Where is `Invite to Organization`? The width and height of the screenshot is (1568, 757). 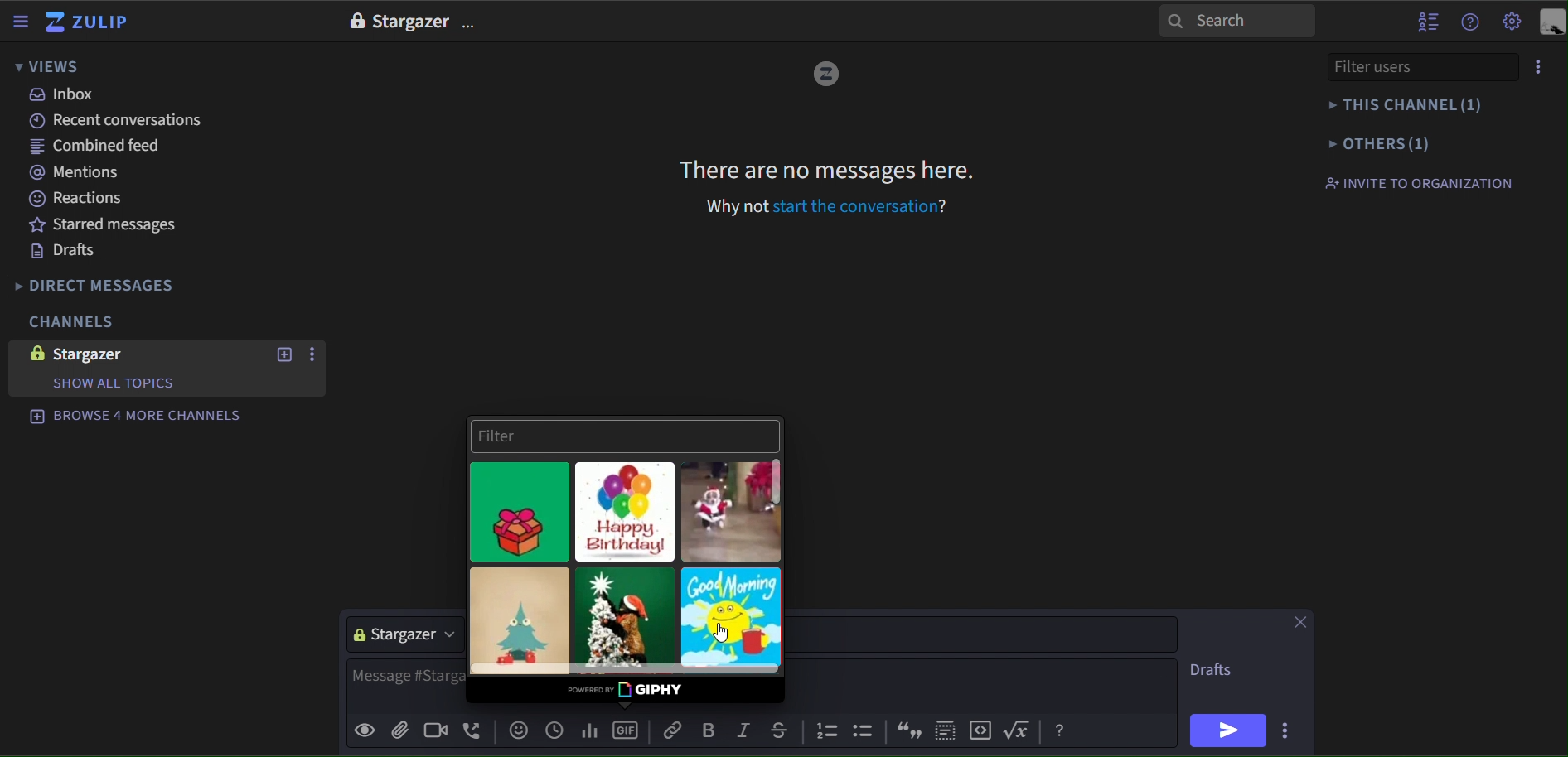
Invite to Organization is located at coordinates (1418, 182).